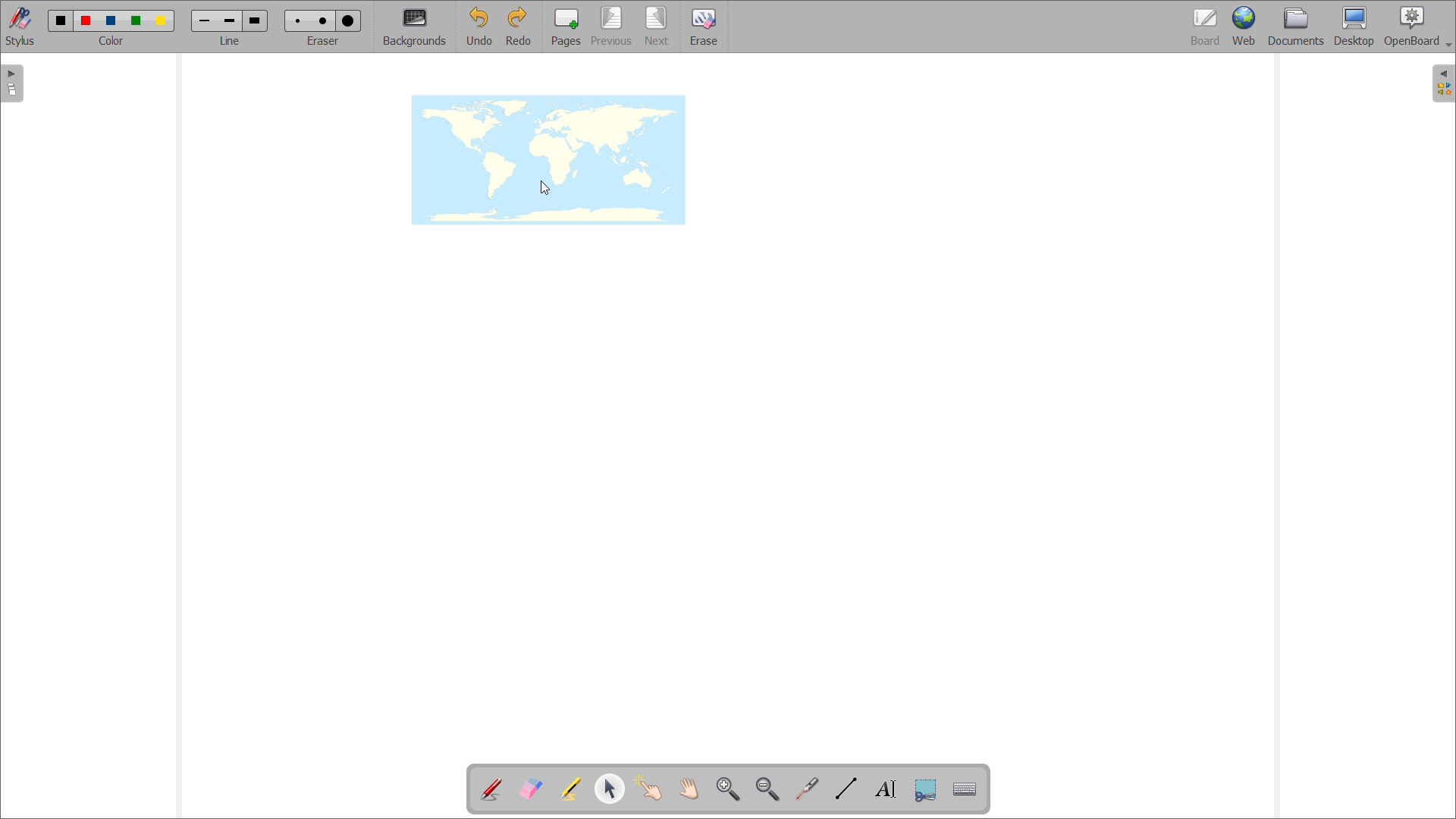 The height and width of the screenshot is (819, 1456). Describe the element at coordinates (530, 787) in the screenshot. I see `erase annotations` at that location.